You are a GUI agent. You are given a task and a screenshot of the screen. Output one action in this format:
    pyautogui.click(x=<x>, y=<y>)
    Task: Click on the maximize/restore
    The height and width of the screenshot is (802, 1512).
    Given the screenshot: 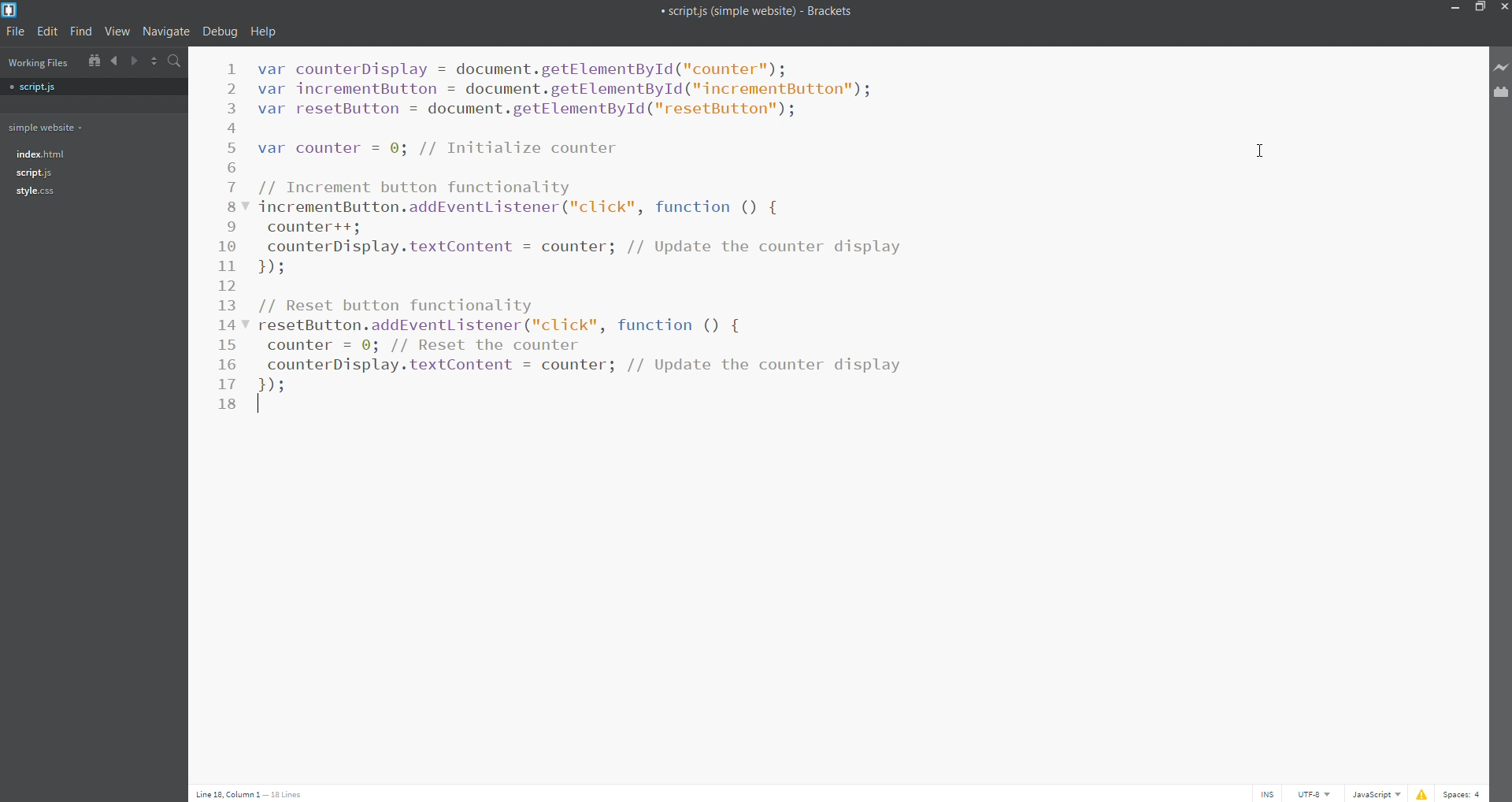 What is the action you would take?
    pyautogui.click(x=1482, y=9)
    